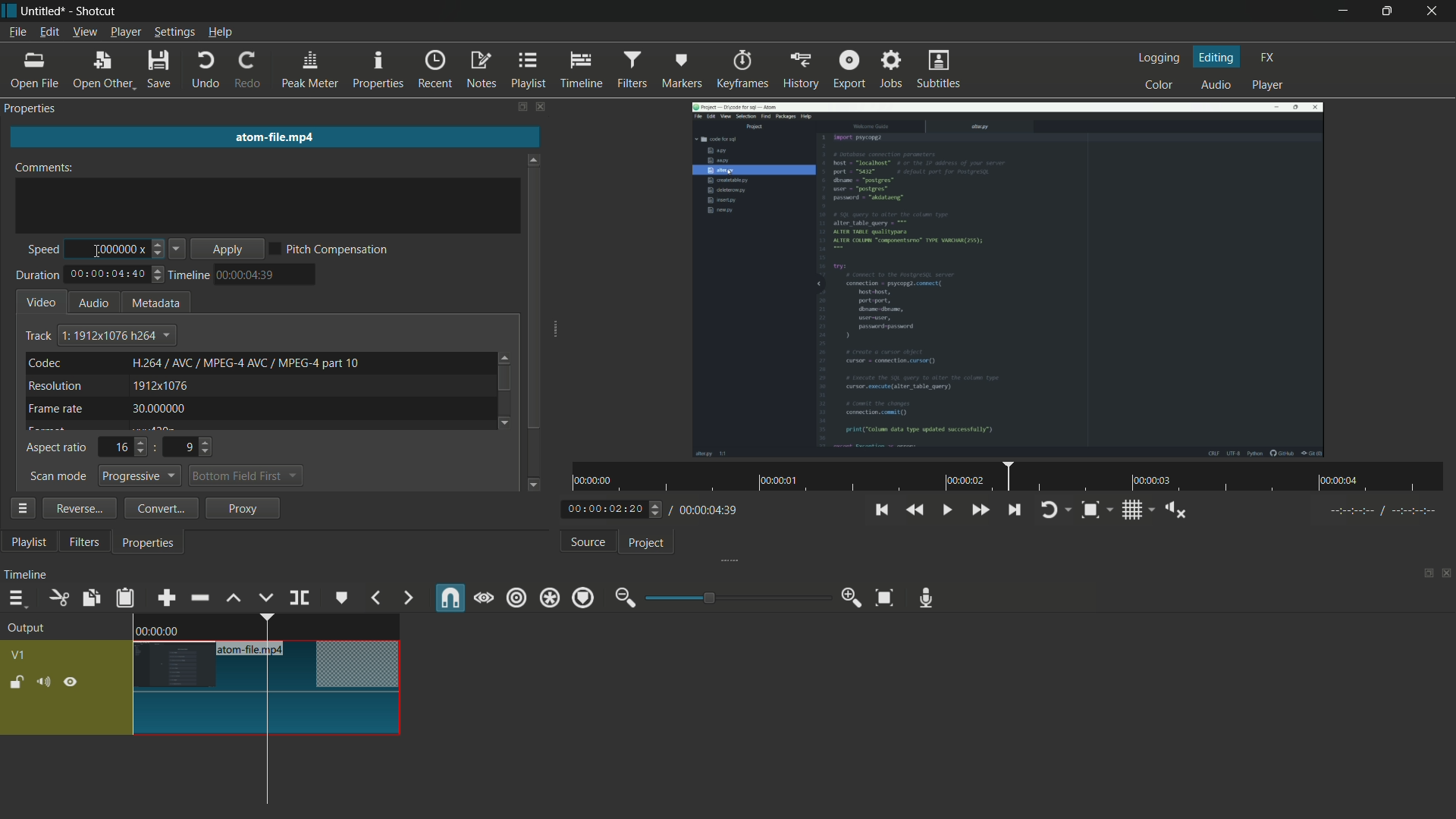 The height and width of the screenshot is (819, 1456). Describe the element at coordinates (45, 682) in the screenshot. I see `mute` at that location.